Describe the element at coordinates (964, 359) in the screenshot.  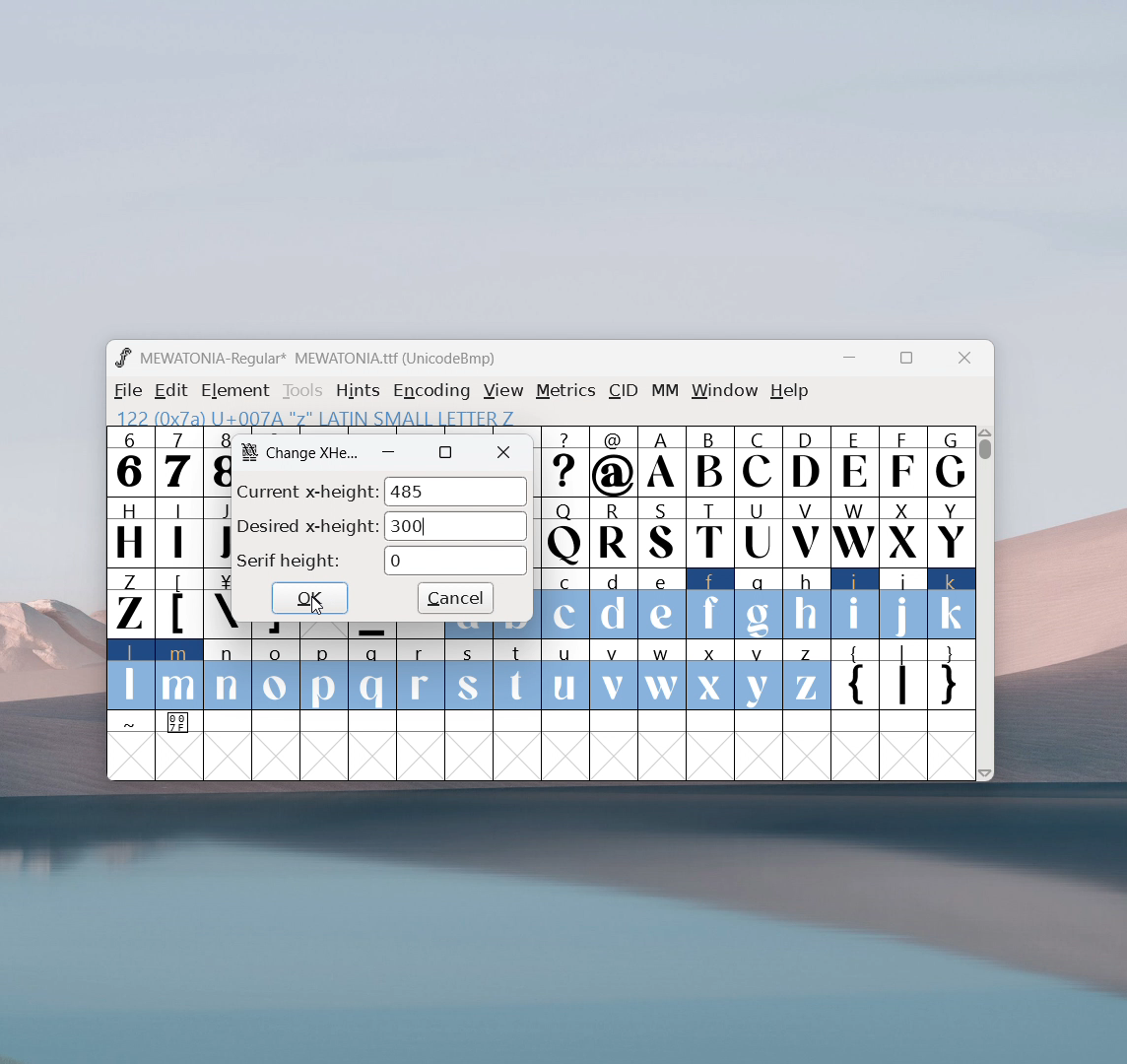
I see `close` at that location.